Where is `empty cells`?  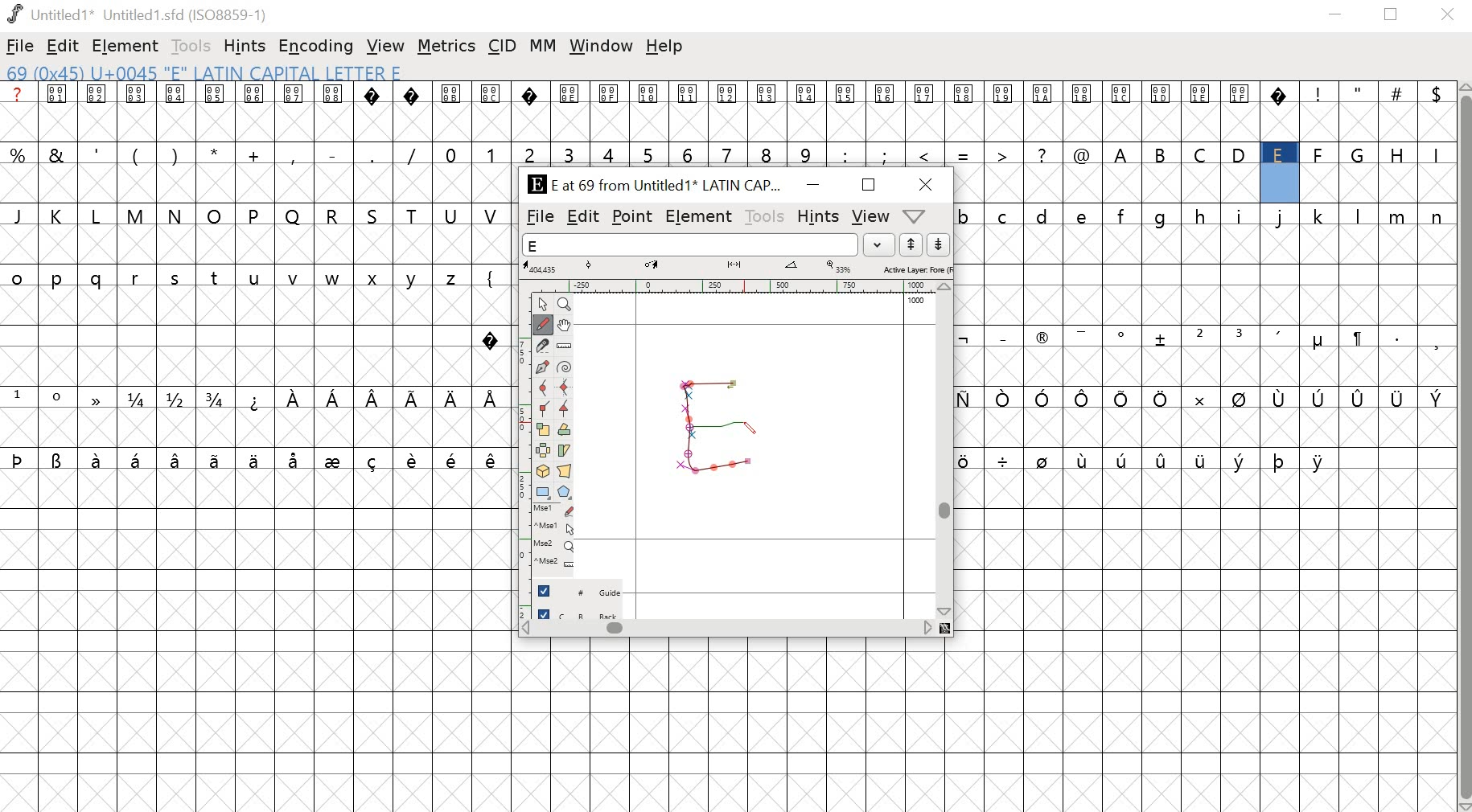 empty cells is located at coordinates (1207, 641).